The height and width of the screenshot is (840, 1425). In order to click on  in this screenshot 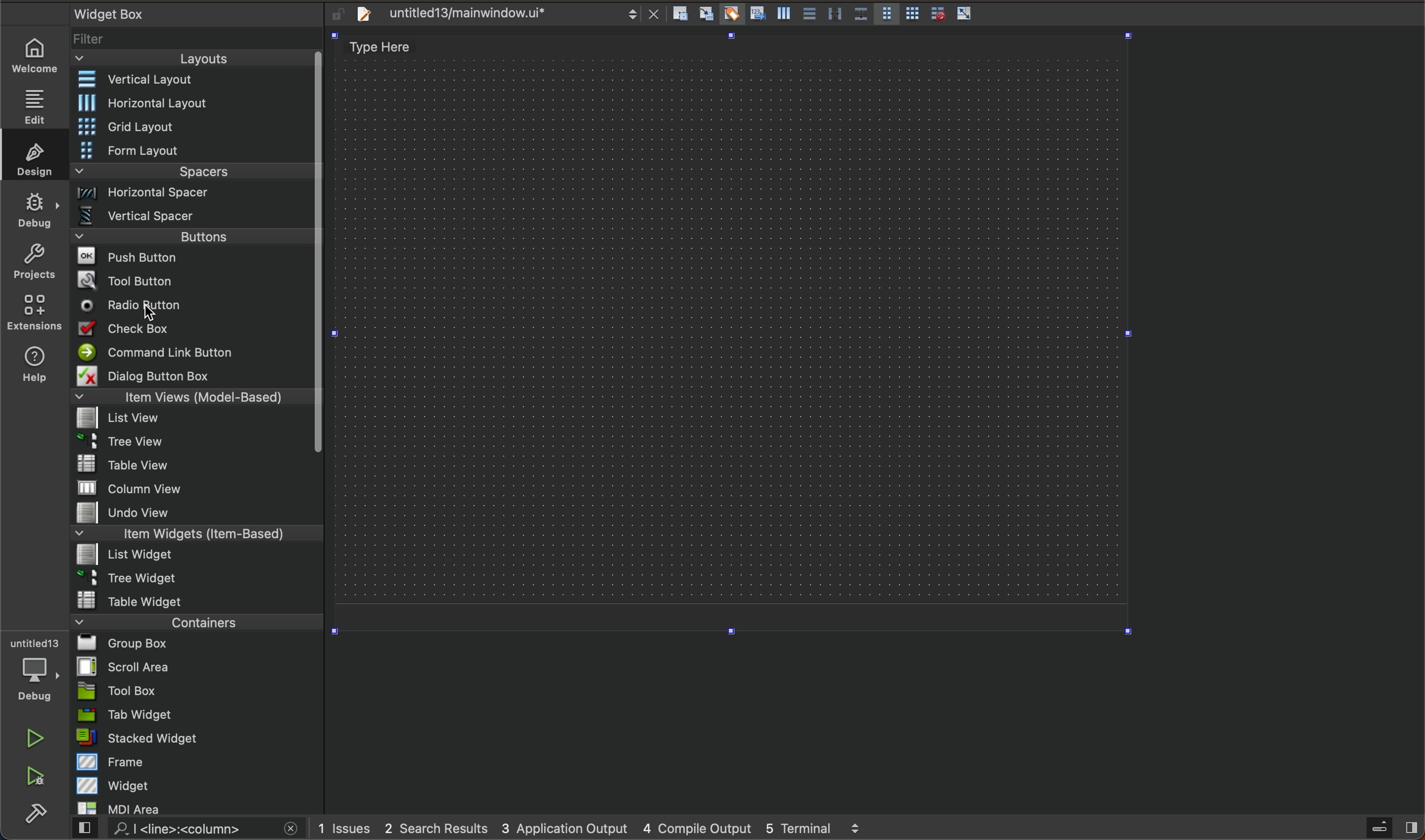, I will do `click(835, 15)`.